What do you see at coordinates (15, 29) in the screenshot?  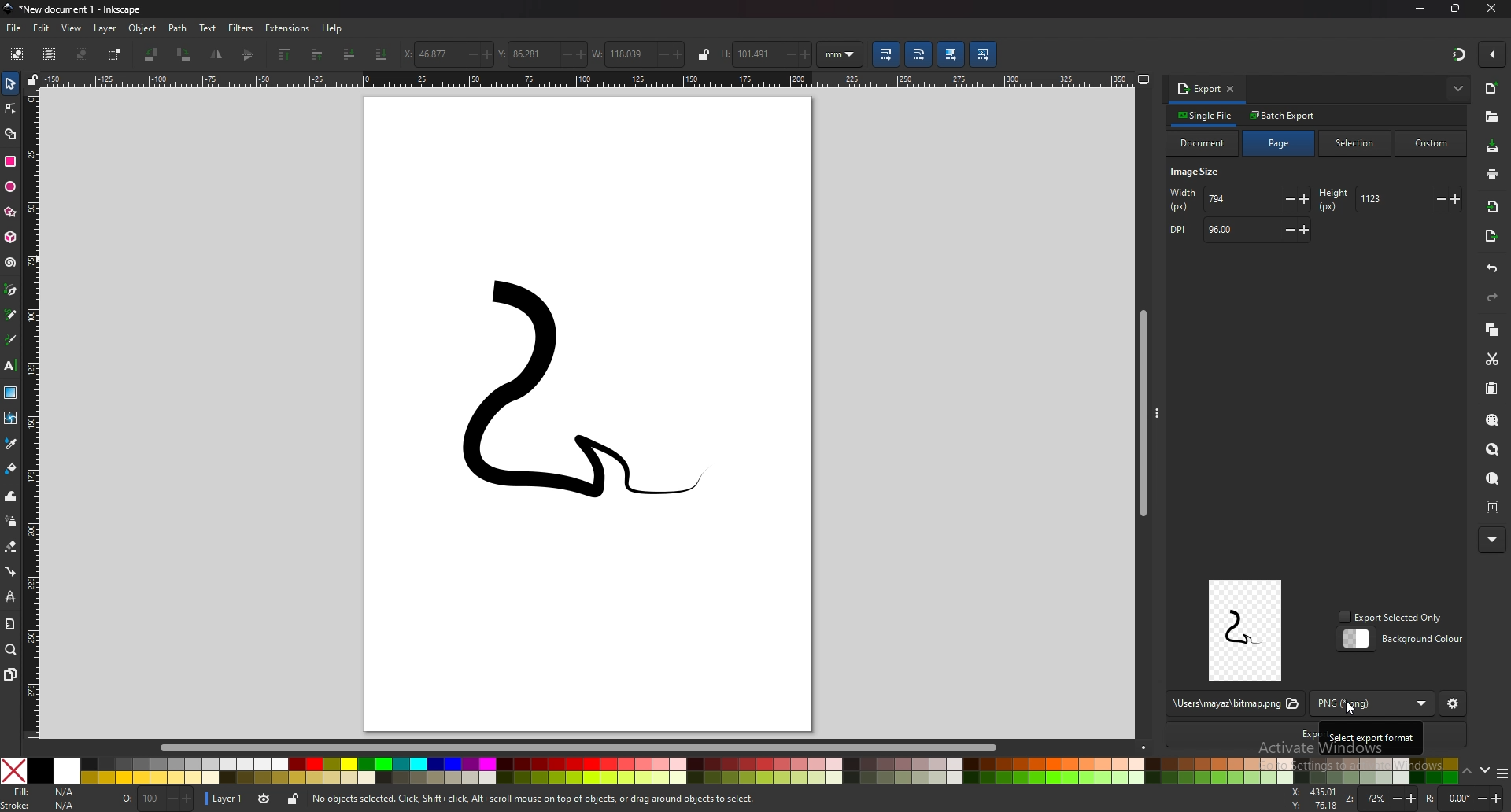 I see `file` at bounding box center [15, 29].